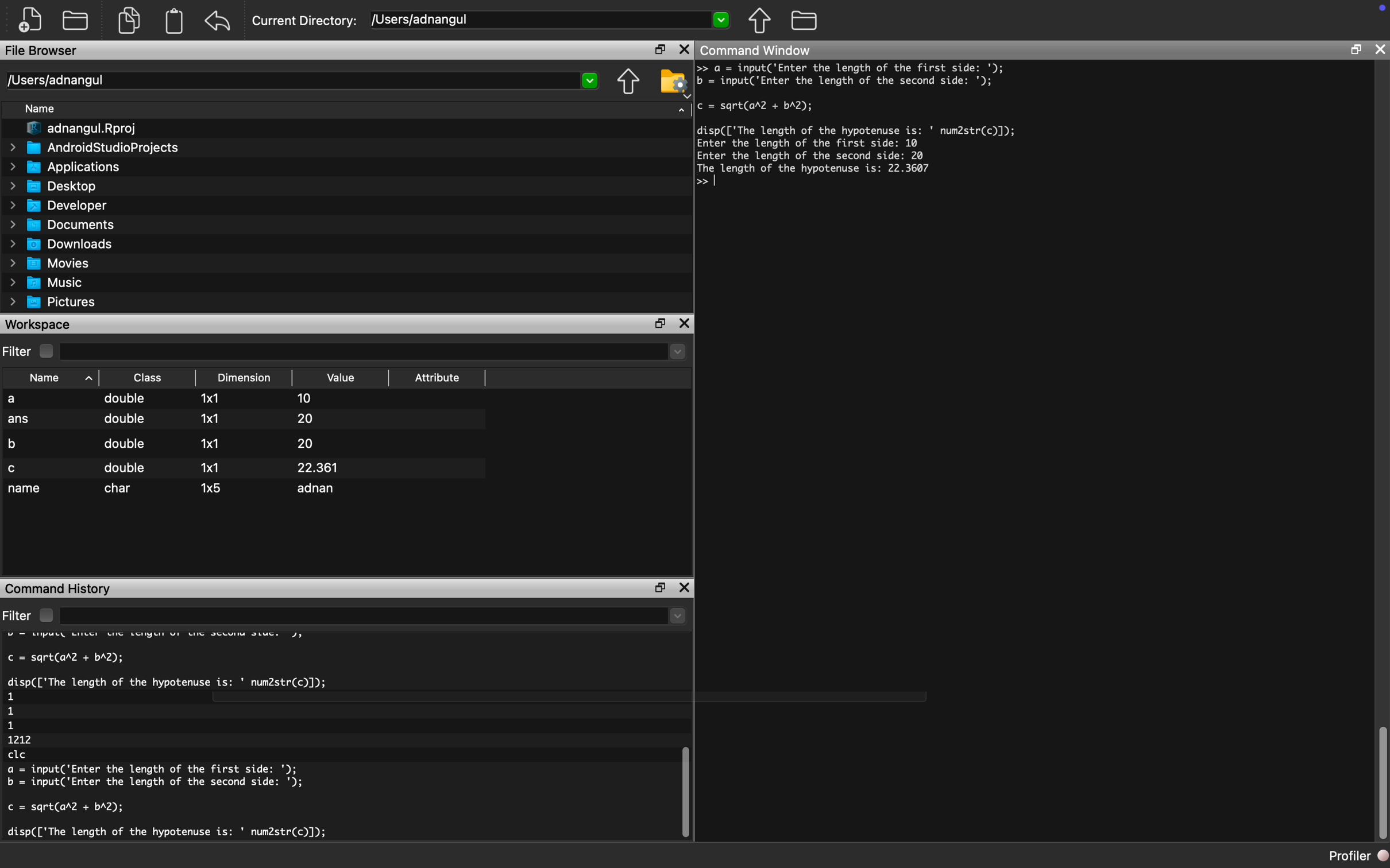  I want to click on folder settings, so click(673, 77).